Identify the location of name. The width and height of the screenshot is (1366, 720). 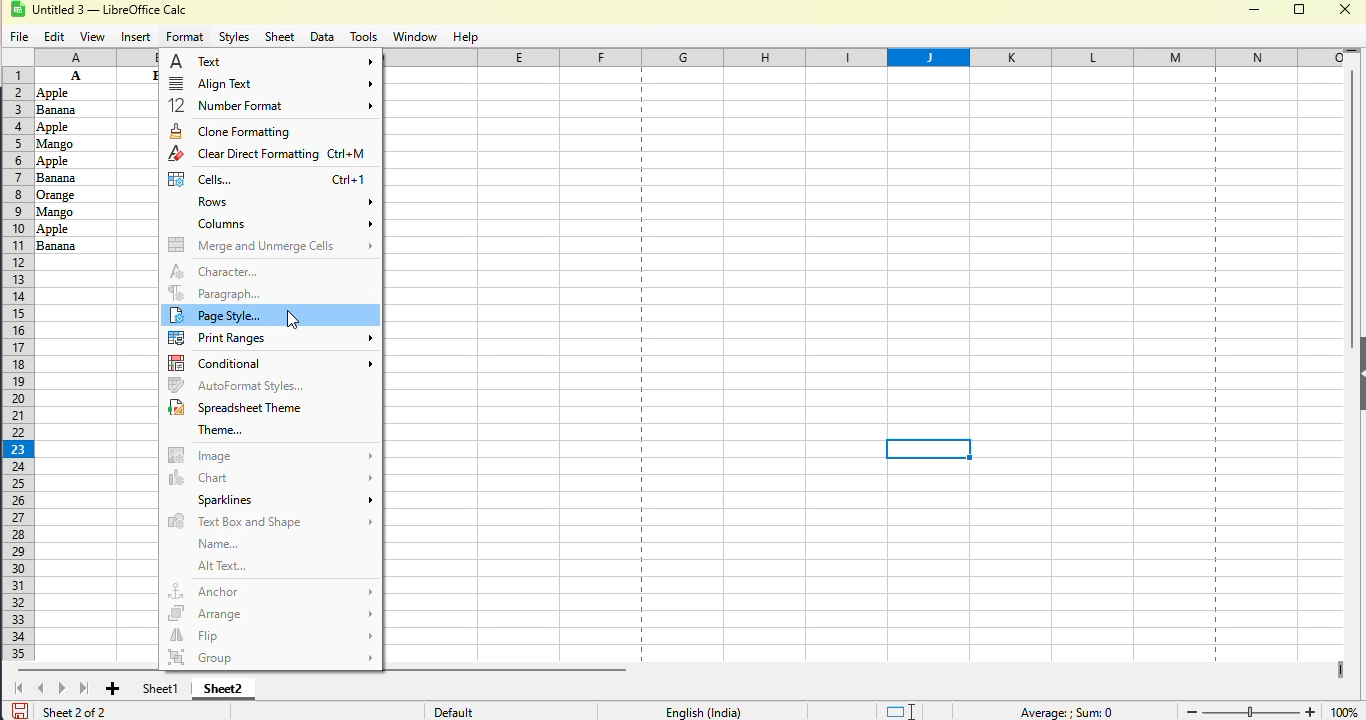
(220, 544).